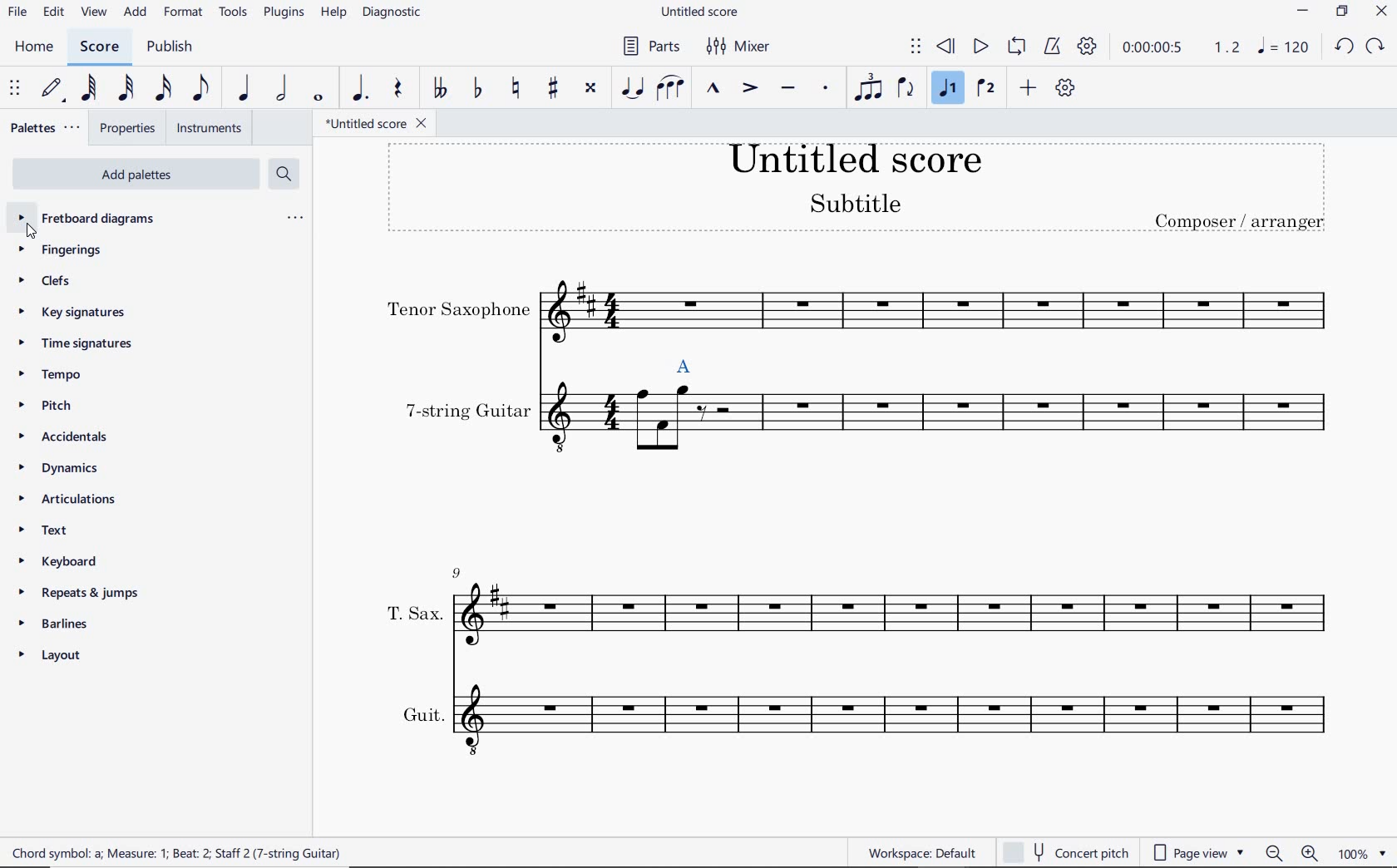  I want to click on STACCATO, so click(824, 89).